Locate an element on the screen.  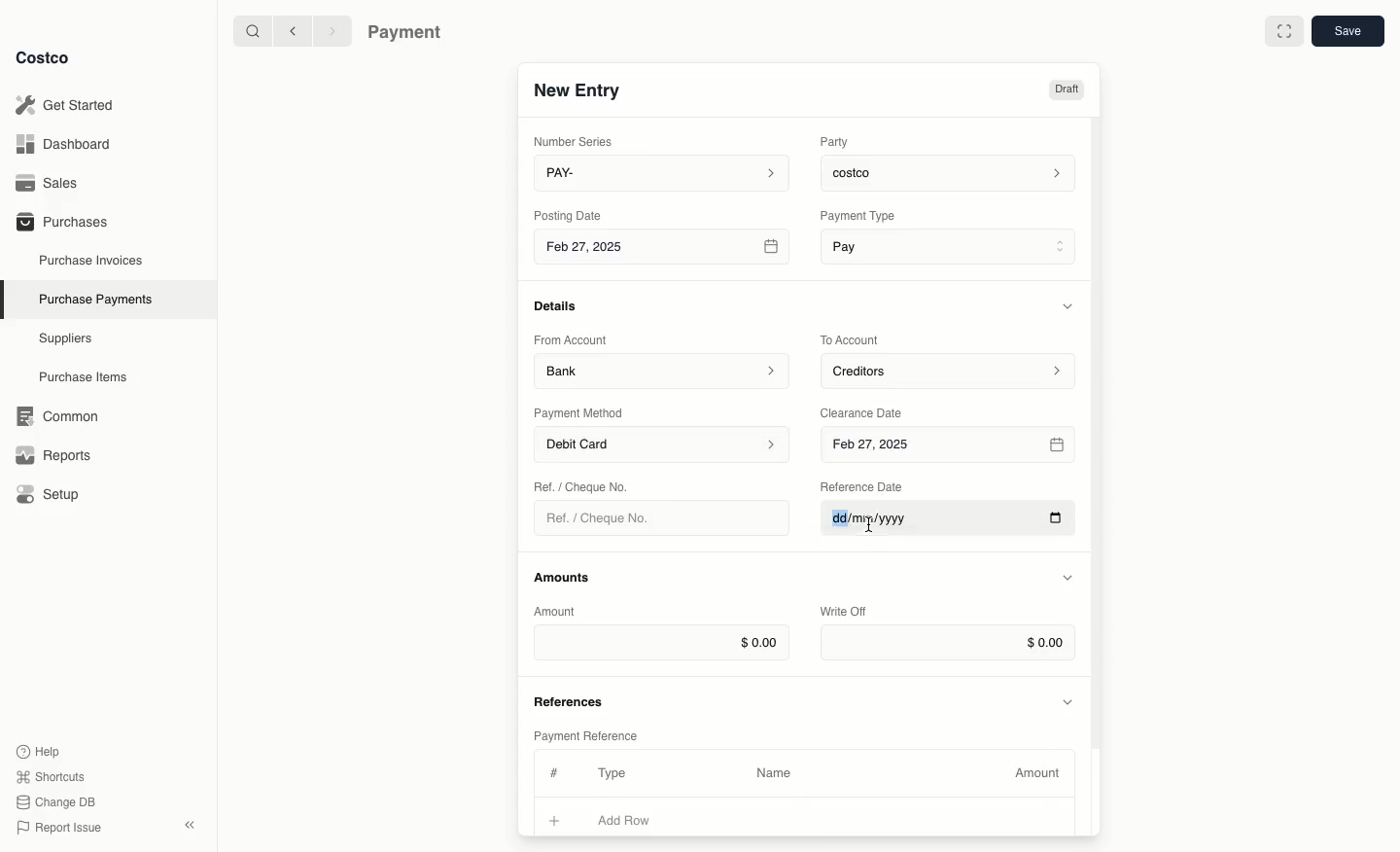
Add Row is located at coordinates (637, 820).